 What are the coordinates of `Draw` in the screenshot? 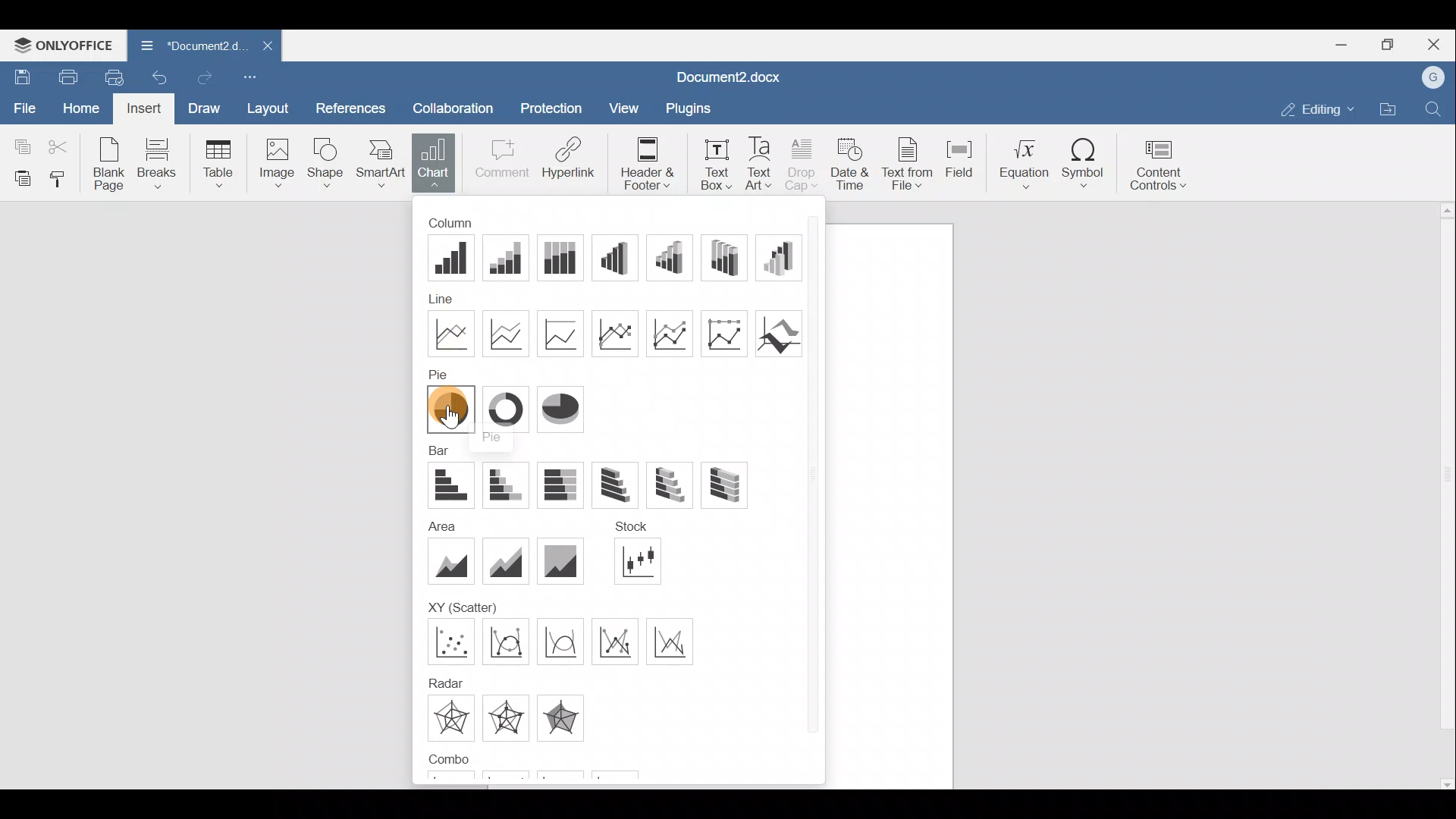 It's located at (206, 110).